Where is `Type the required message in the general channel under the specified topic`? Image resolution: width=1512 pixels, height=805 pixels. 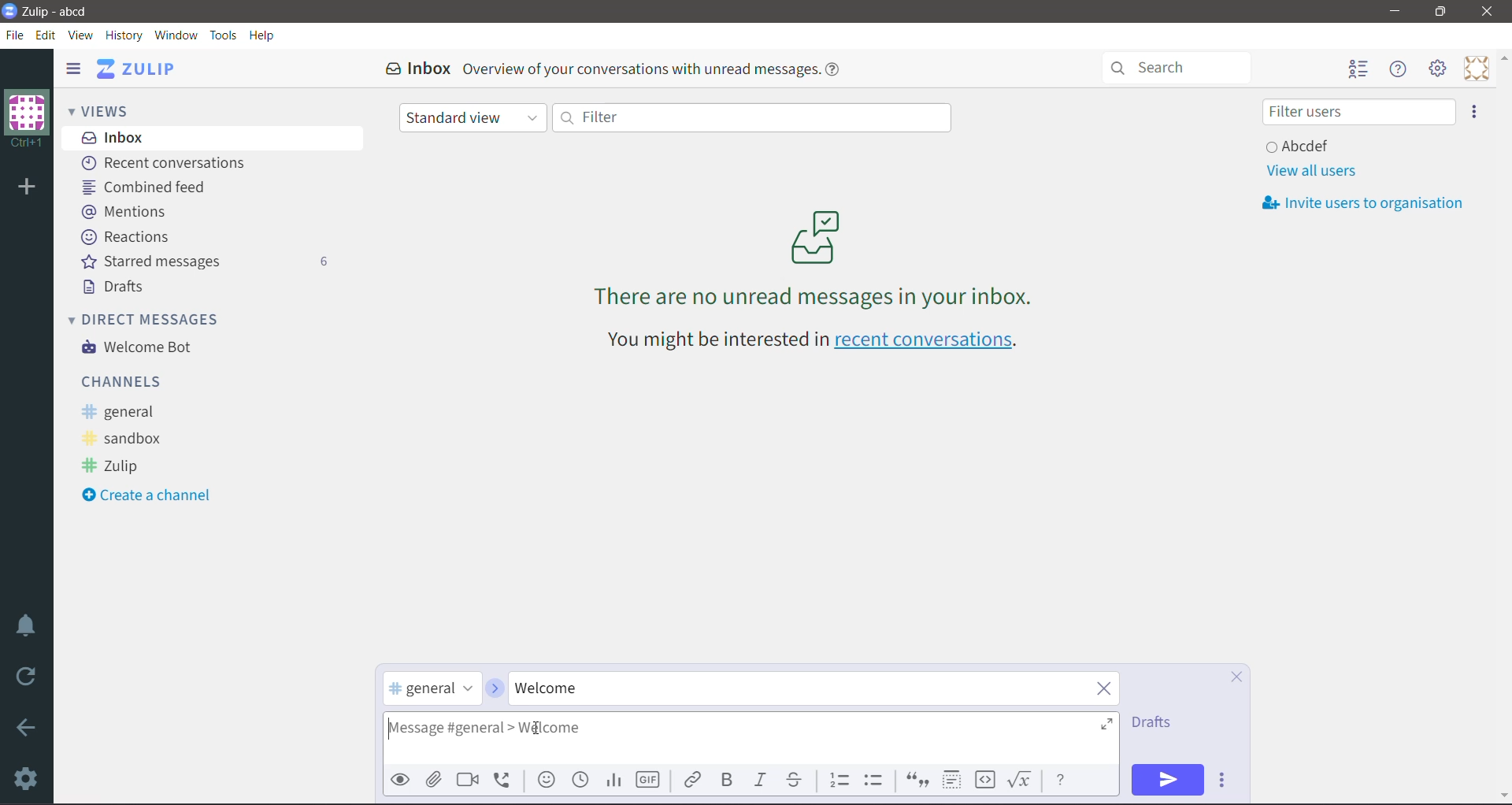
Type the required message in the general channel under the specified topic is located at coordinates (752, 738).